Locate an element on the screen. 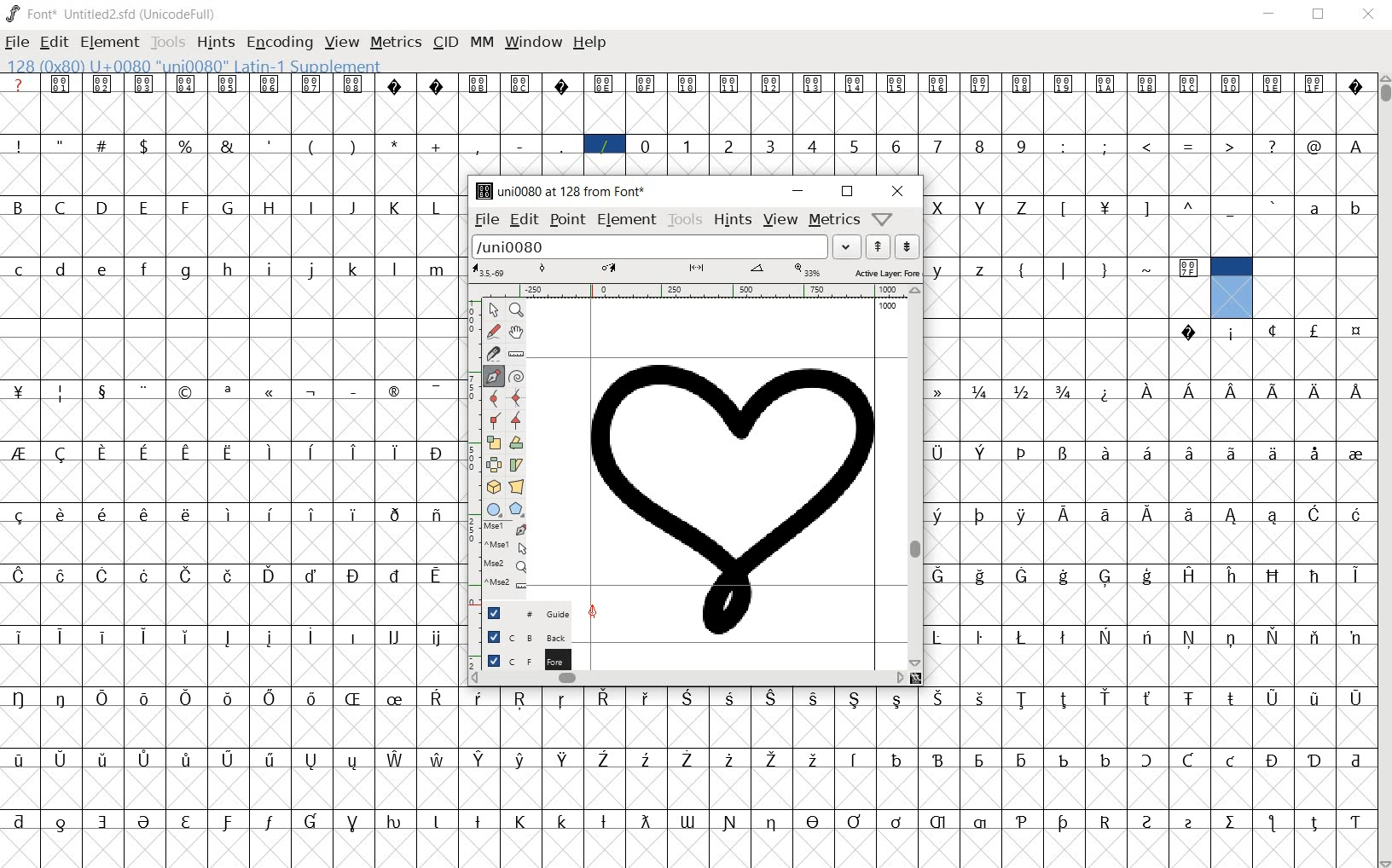  glyph is located at coordinates (1356, 514).